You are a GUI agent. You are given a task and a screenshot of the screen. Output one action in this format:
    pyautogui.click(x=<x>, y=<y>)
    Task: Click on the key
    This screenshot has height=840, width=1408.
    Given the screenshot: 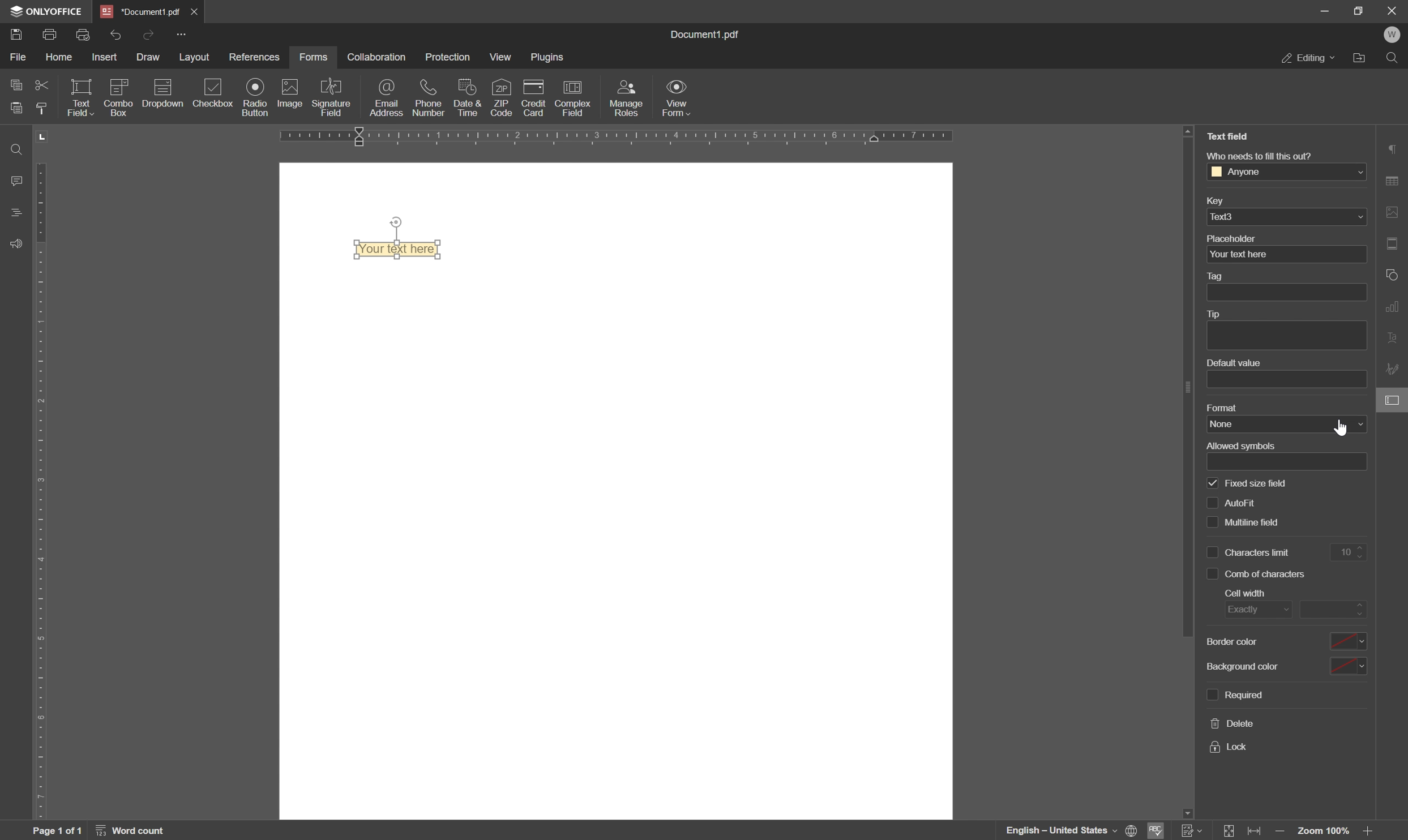 What is the action you would take?
    pyautogui.click(x=1213, y=202)
    